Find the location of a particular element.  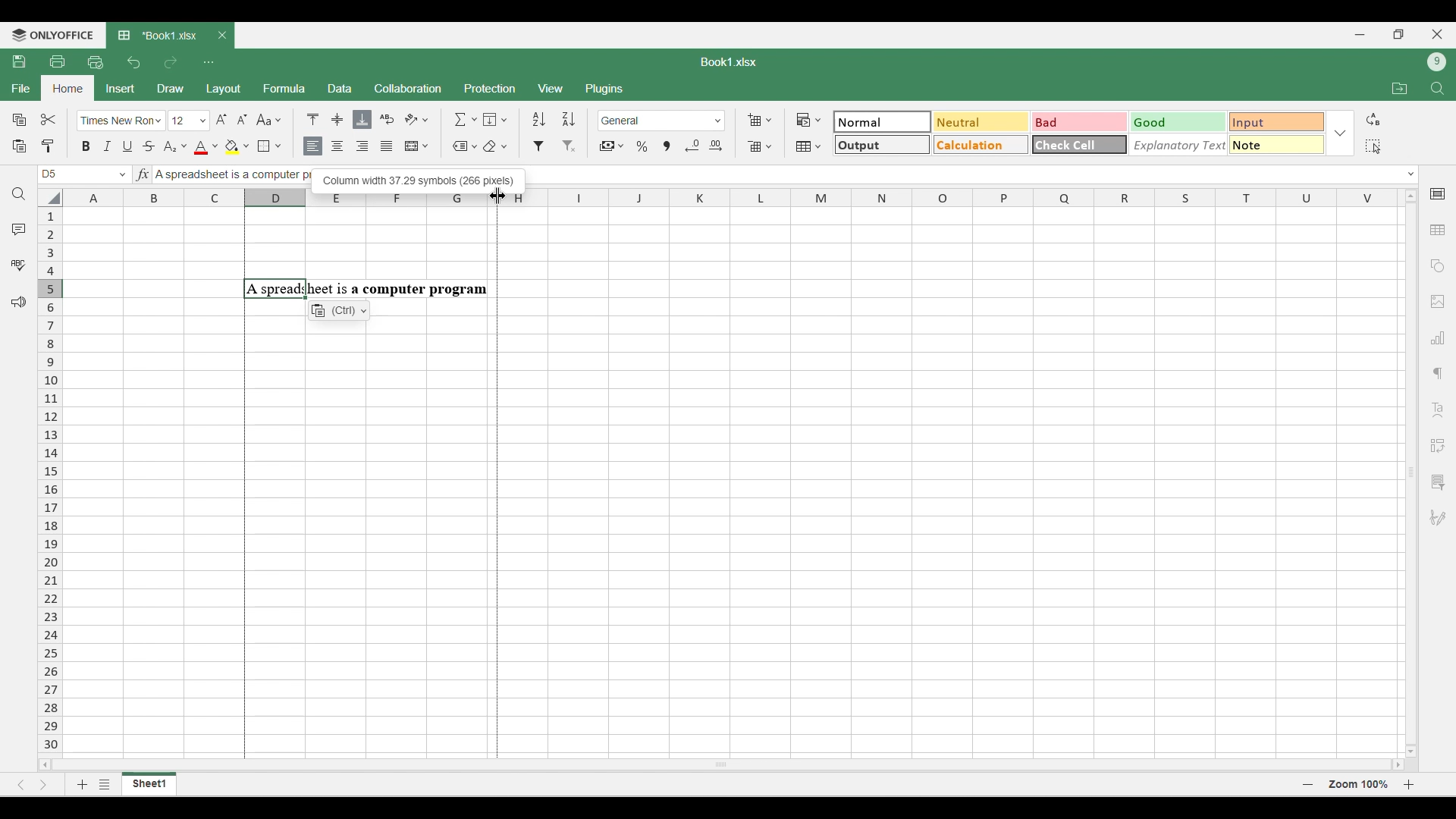

Change cell is located at coordinates (123, 174).